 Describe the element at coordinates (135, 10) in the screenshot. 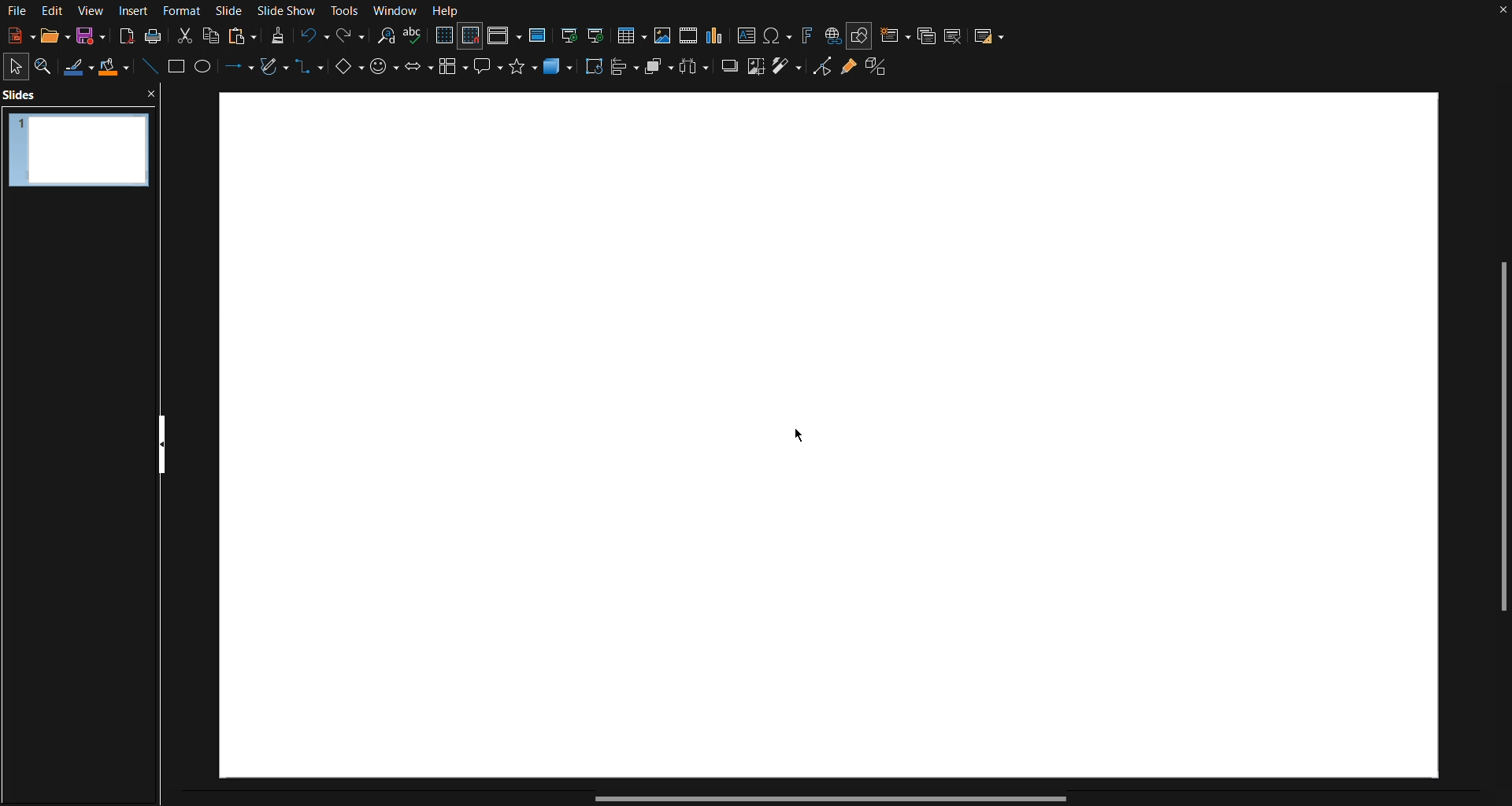

I see `Insert` at that location.